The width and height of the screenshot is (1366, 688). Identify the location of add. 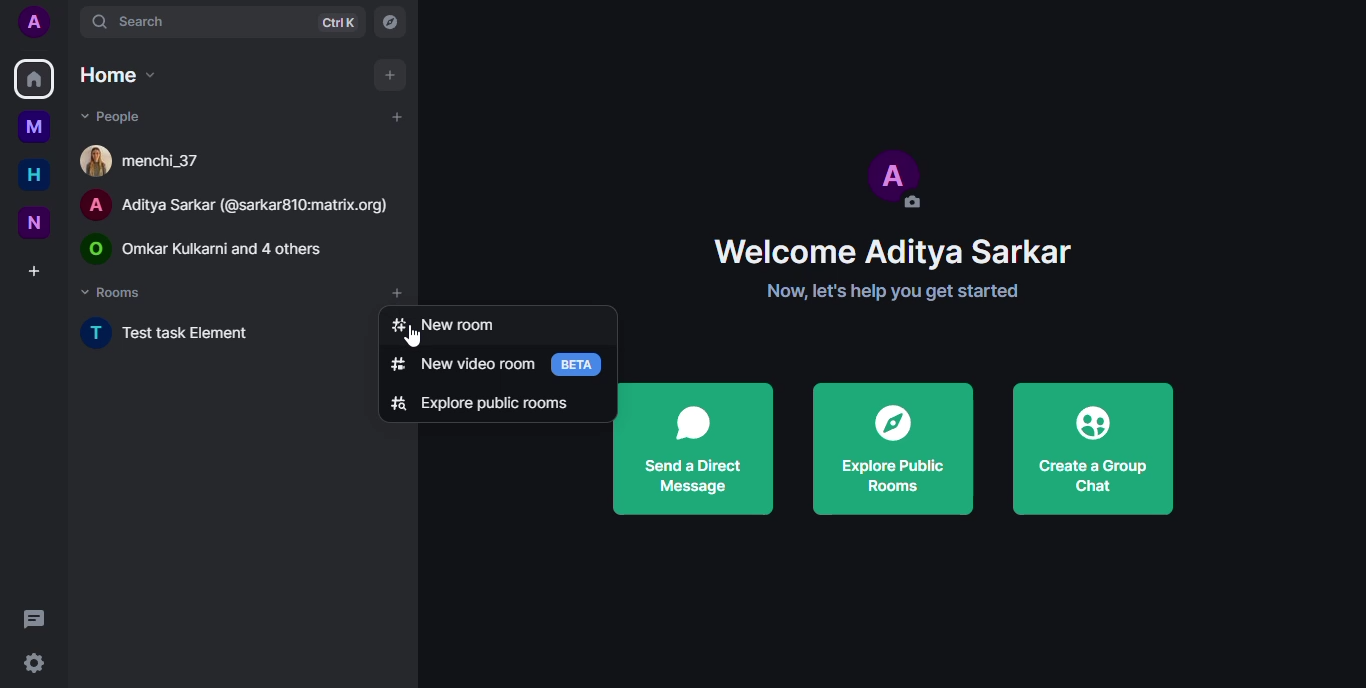
(389, 73).